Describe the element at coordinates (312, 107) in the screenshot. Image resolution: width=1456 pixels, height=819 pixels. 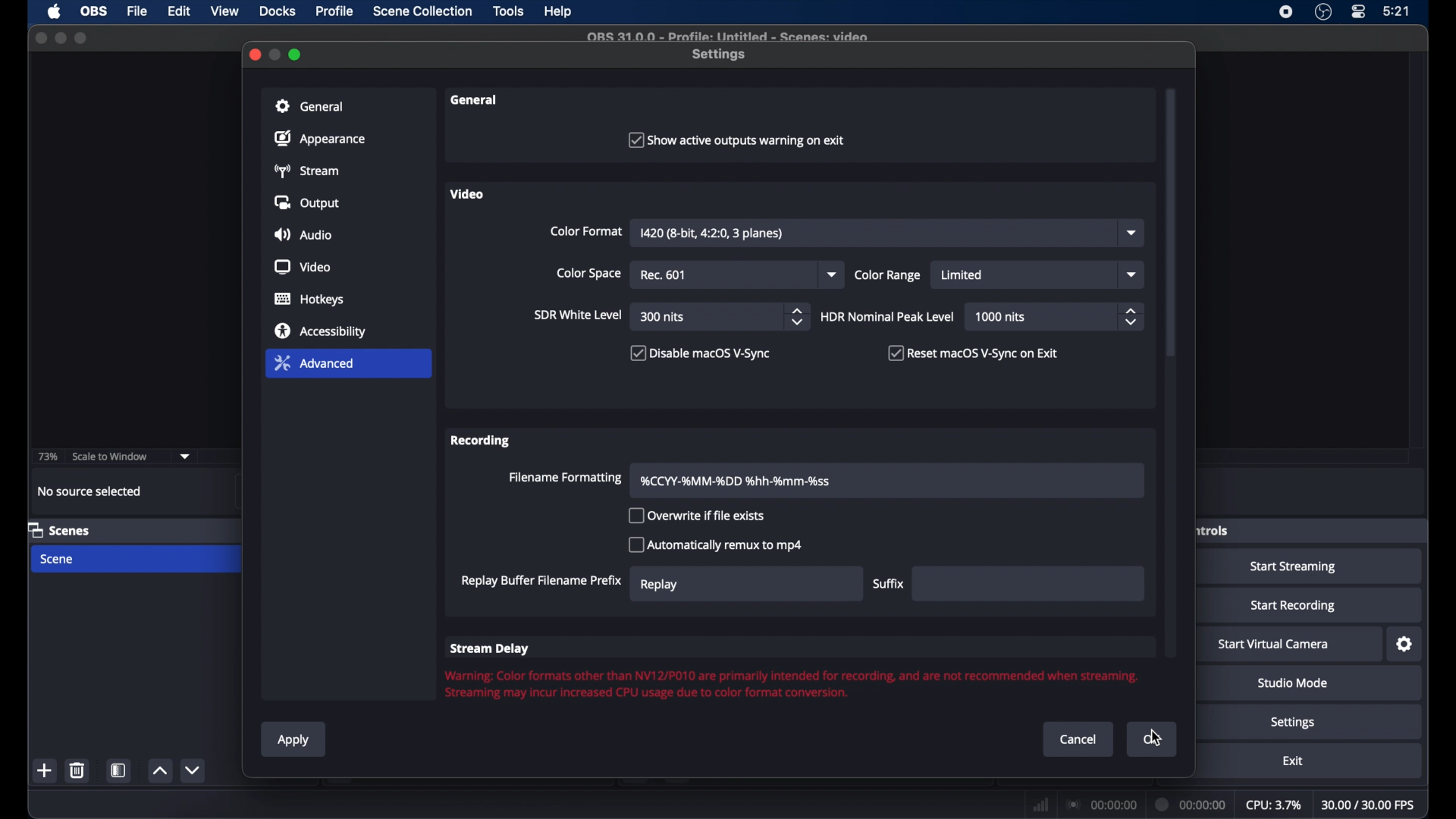
I see `general` at that location.